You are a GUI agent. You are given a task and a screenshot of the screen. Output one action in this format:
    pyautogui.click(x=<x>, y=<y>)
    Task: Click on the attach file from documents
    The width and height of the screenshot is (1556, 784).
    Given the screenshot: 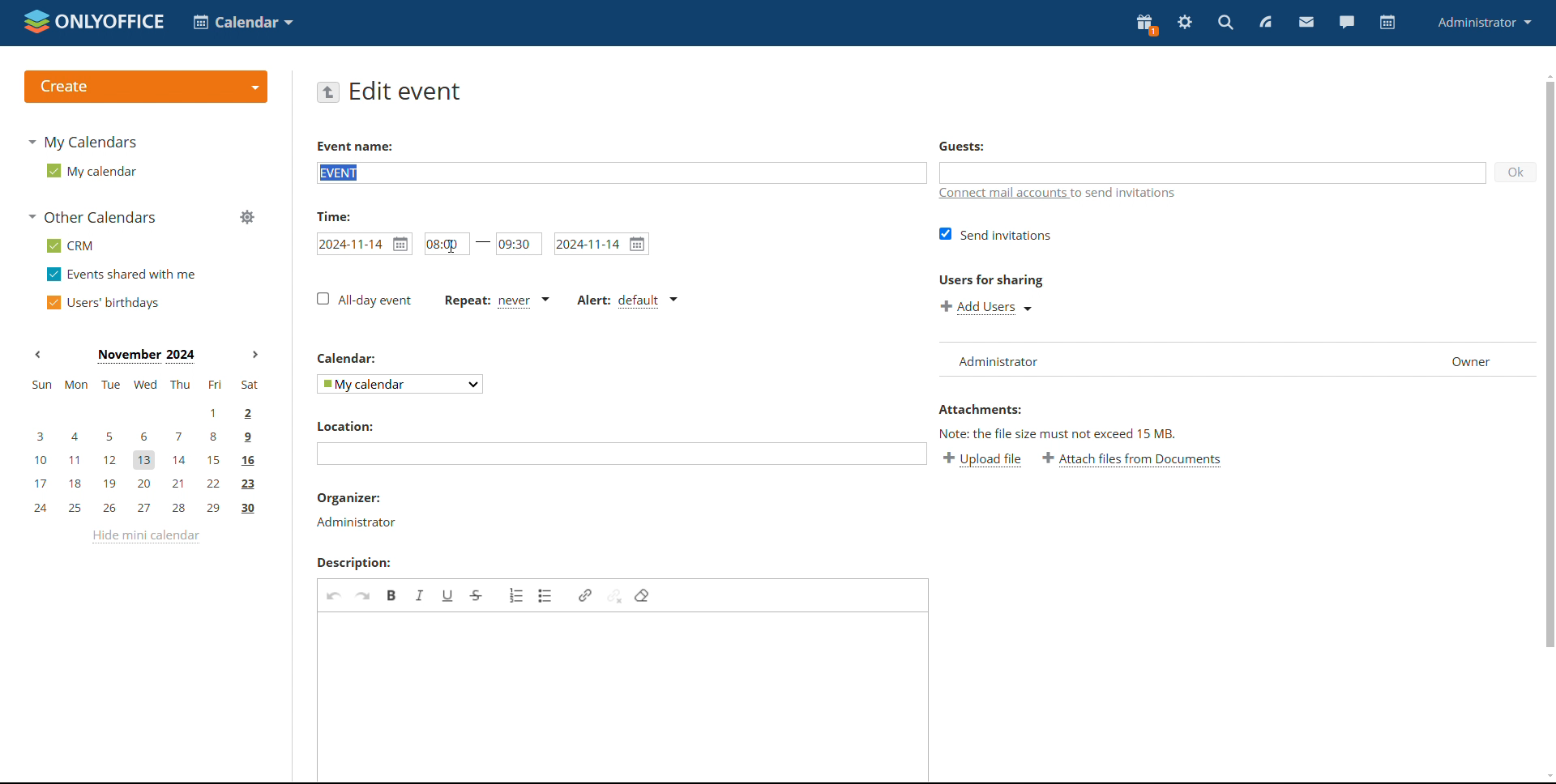 What is the action you would take?
    pyautogui.click(x=1131, y=460)
    